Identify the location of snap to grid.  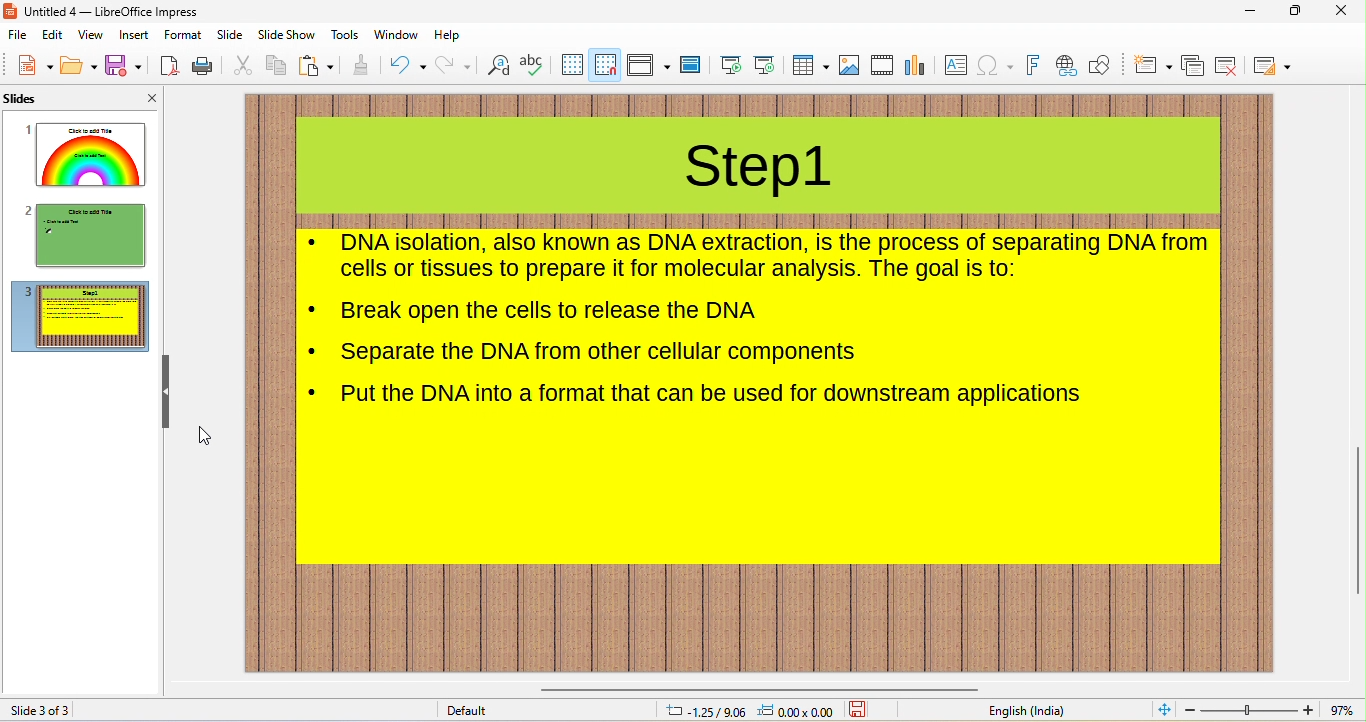
(604, 64).